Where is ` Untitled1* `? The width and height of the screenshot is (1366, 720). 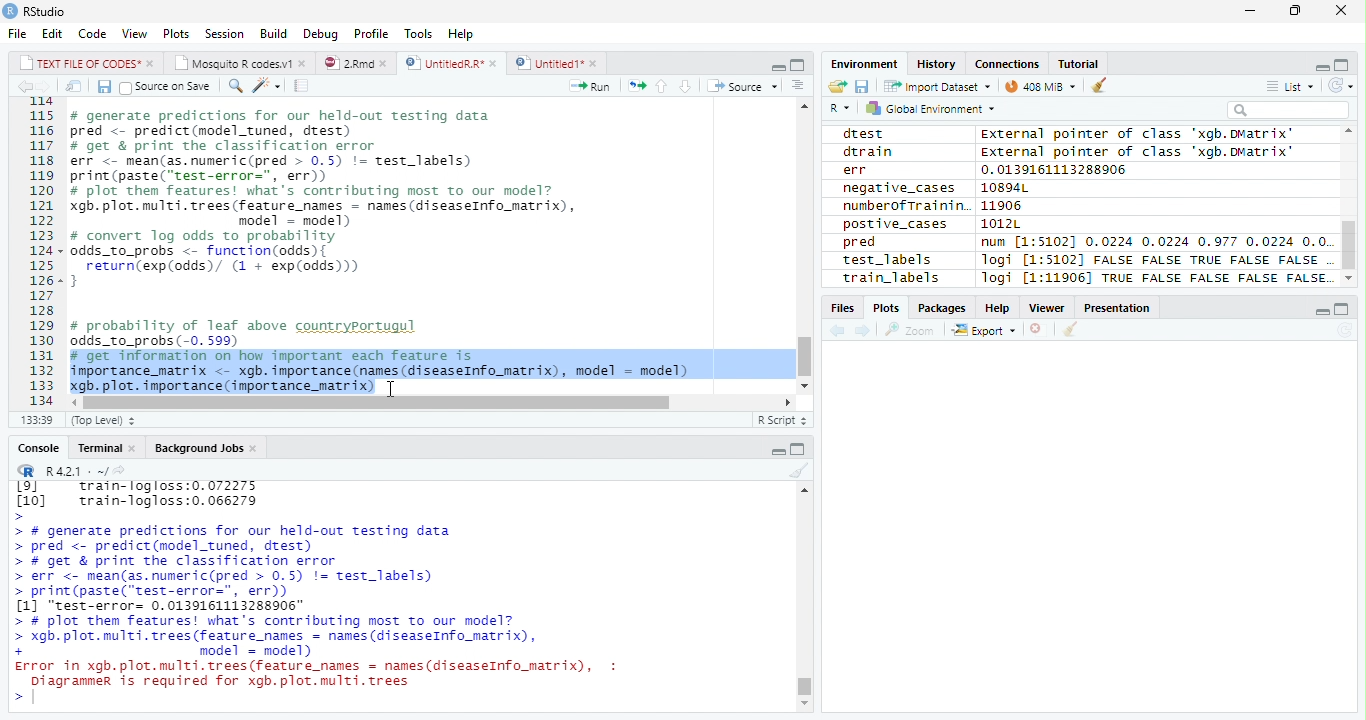  Untitled1*  is located at coordinates (557, 62).